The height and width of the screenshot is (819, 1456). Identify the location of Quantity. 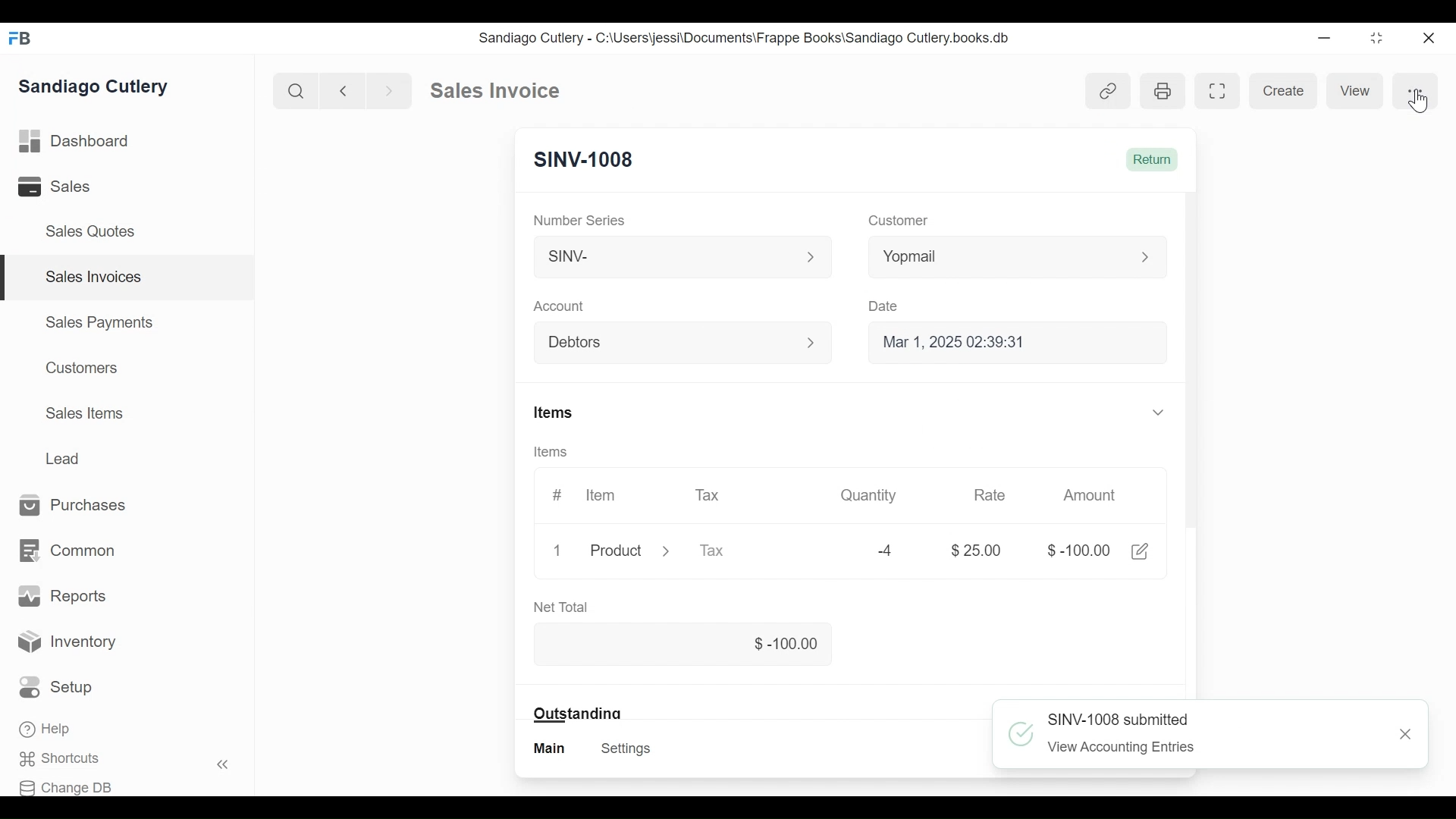
(871, 496).